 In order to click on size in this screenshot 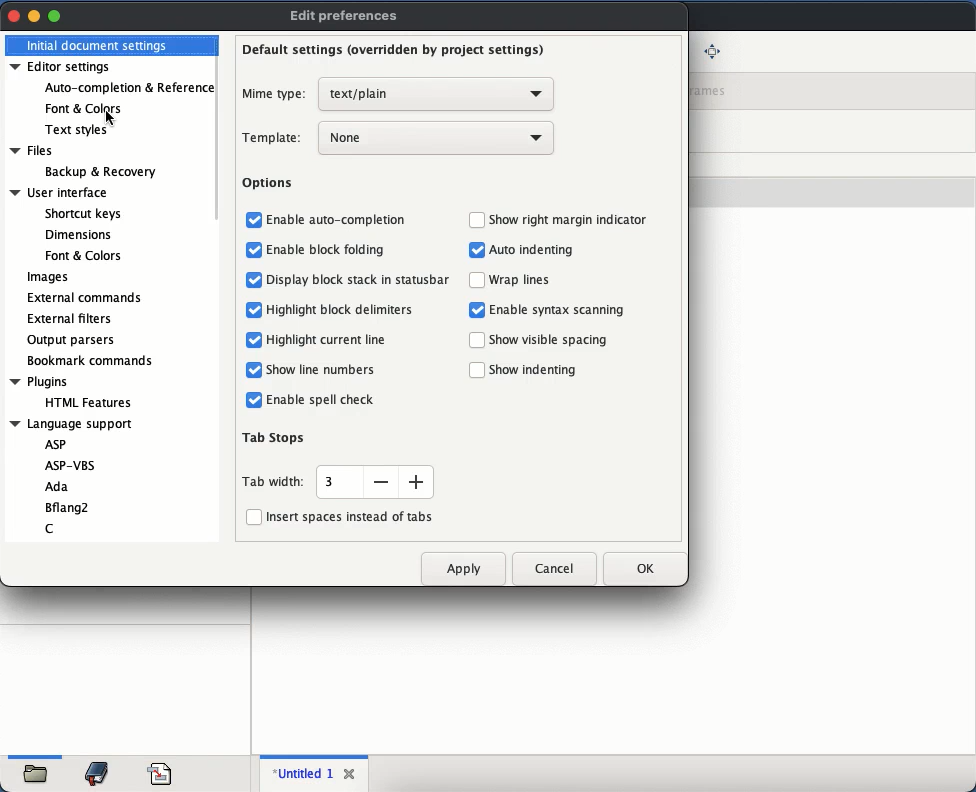, I will do `click(332, 481)`.